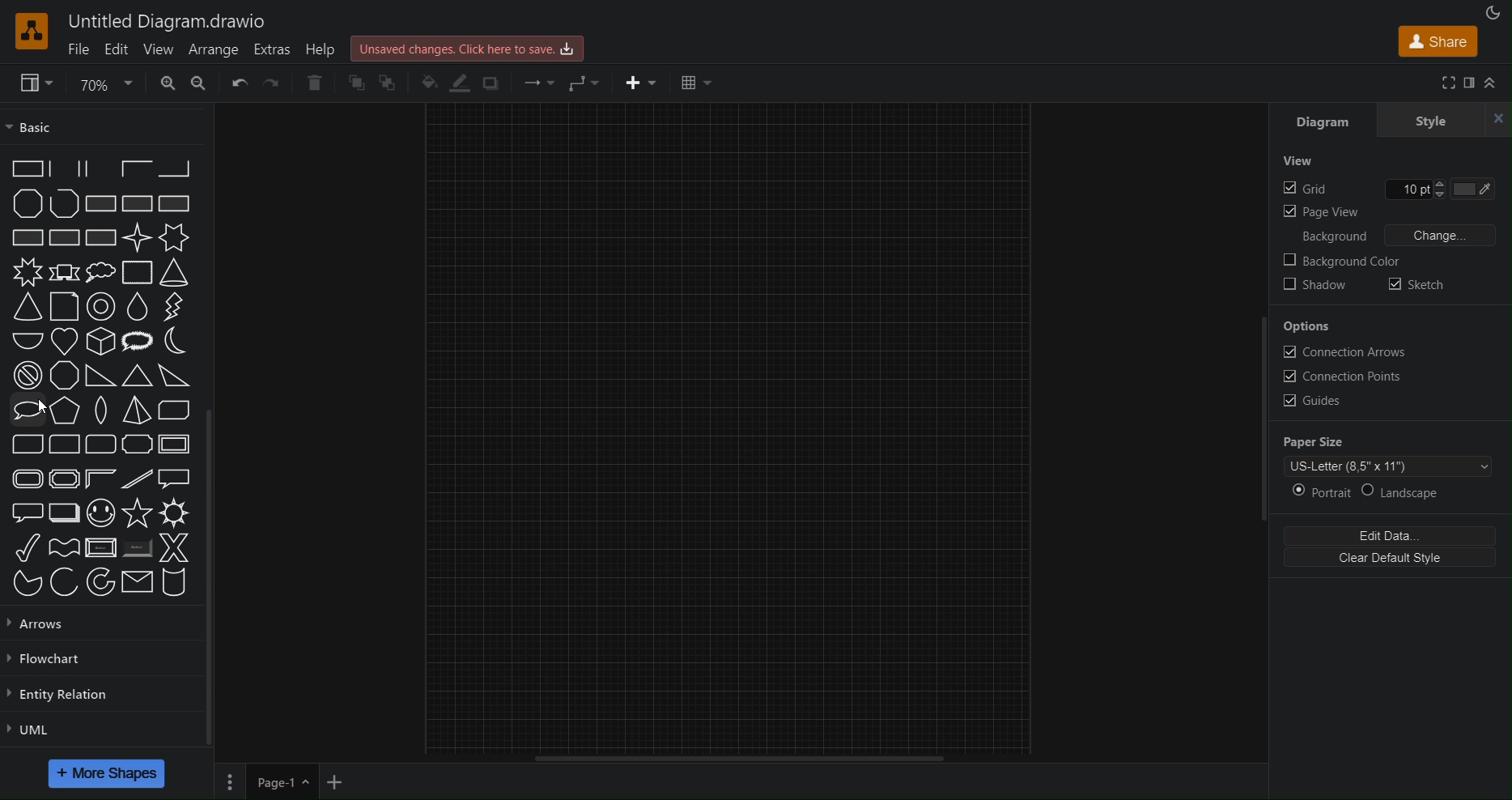 The width and height of the screenshot is (1512, 800). Describe the element at coordinates (312, 85) in the screenshot. I see `Delete` at that location.